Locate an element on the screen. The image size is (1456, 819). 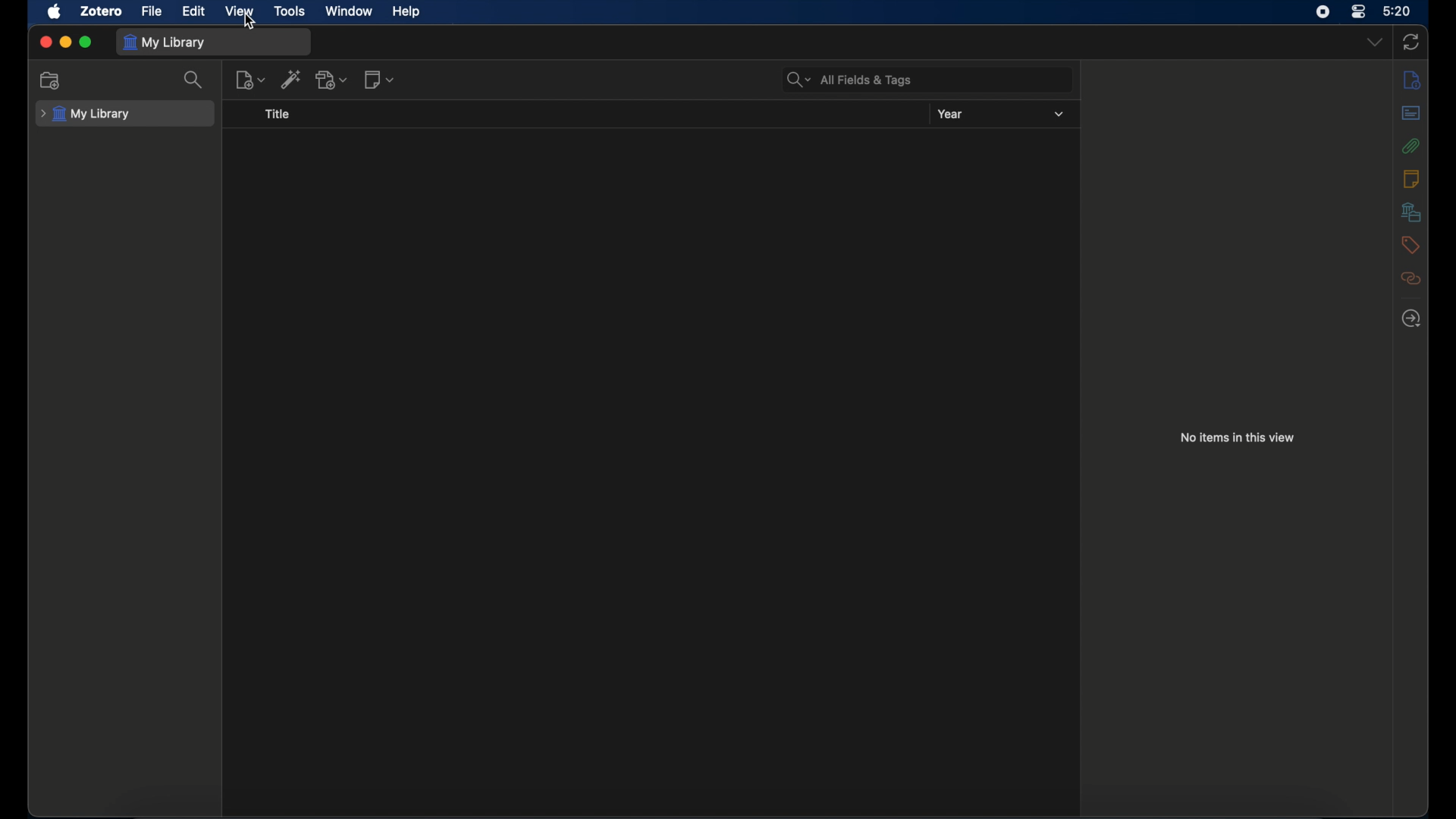
libraries is located at coordinates (1410, 212).